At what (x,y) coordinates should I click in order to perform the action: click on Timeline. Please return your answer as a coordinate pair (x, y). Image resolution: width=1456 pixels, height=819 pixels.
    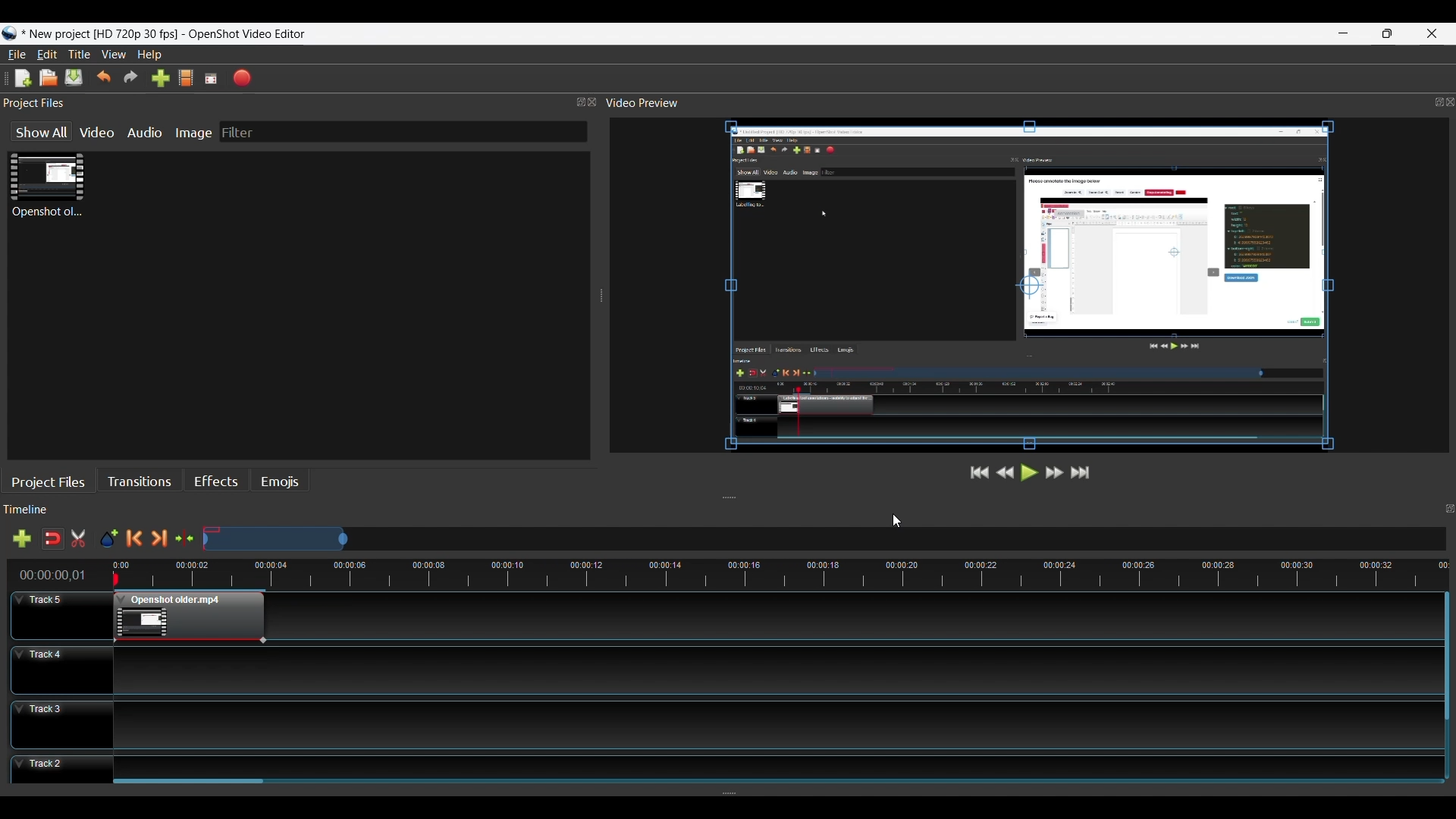
    Looking at the image, I should click on (730, 568).